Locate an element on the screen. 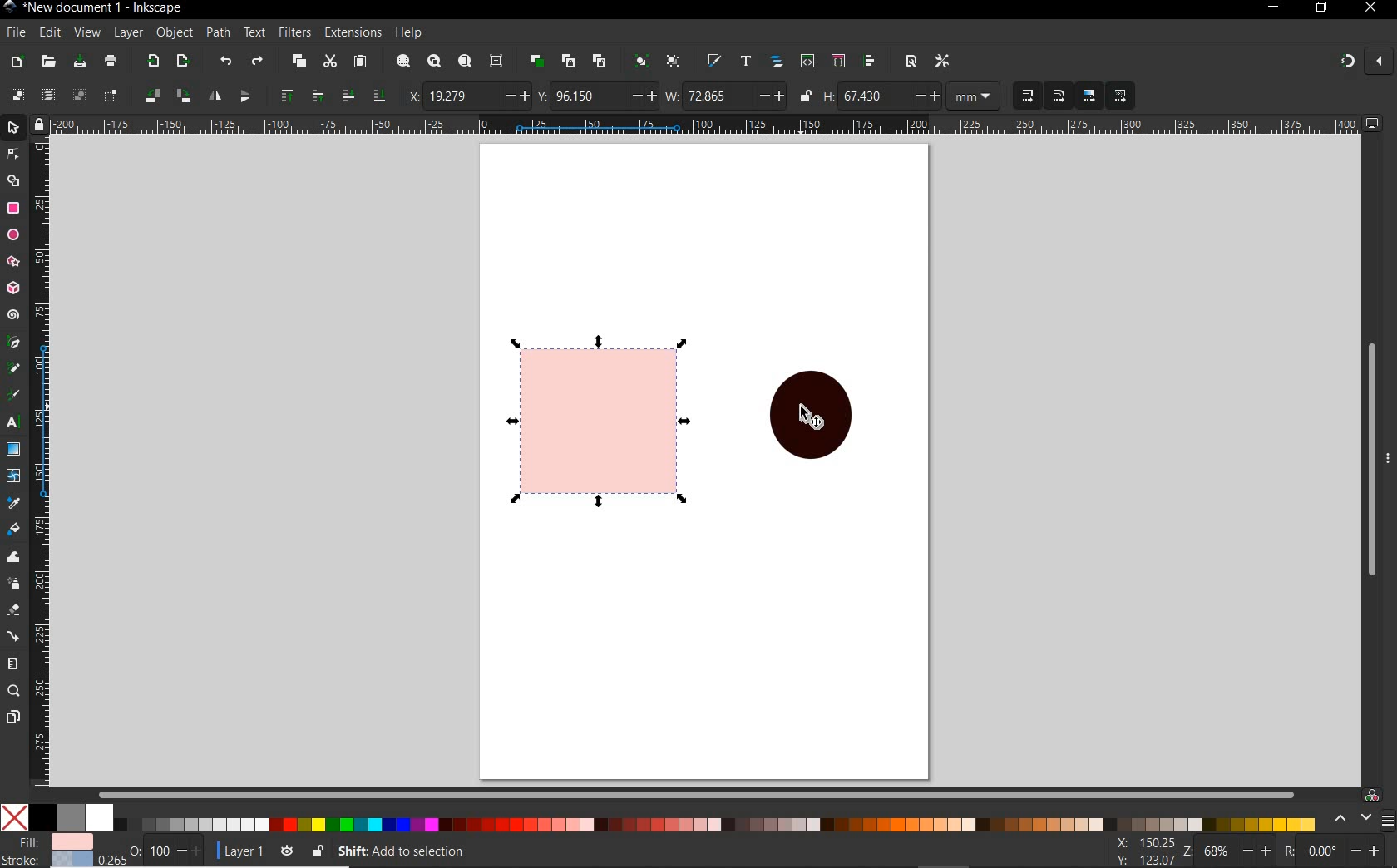 This screenshot has height=868, width=1397. color pallet is located at coordinates (689, 818).